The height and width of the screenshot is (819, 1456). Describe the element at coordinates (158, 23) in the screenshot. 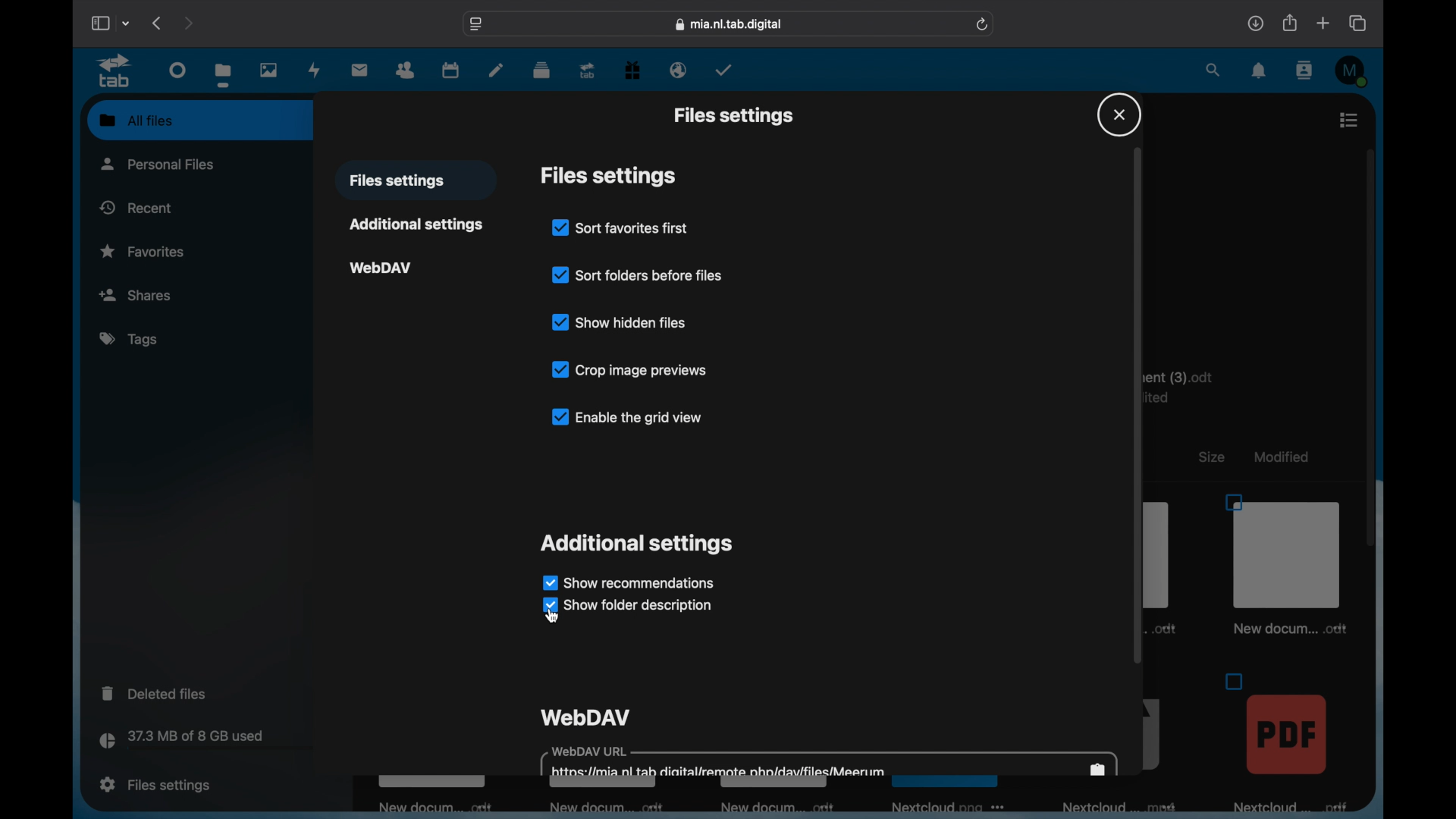

I see `previous` at that location.